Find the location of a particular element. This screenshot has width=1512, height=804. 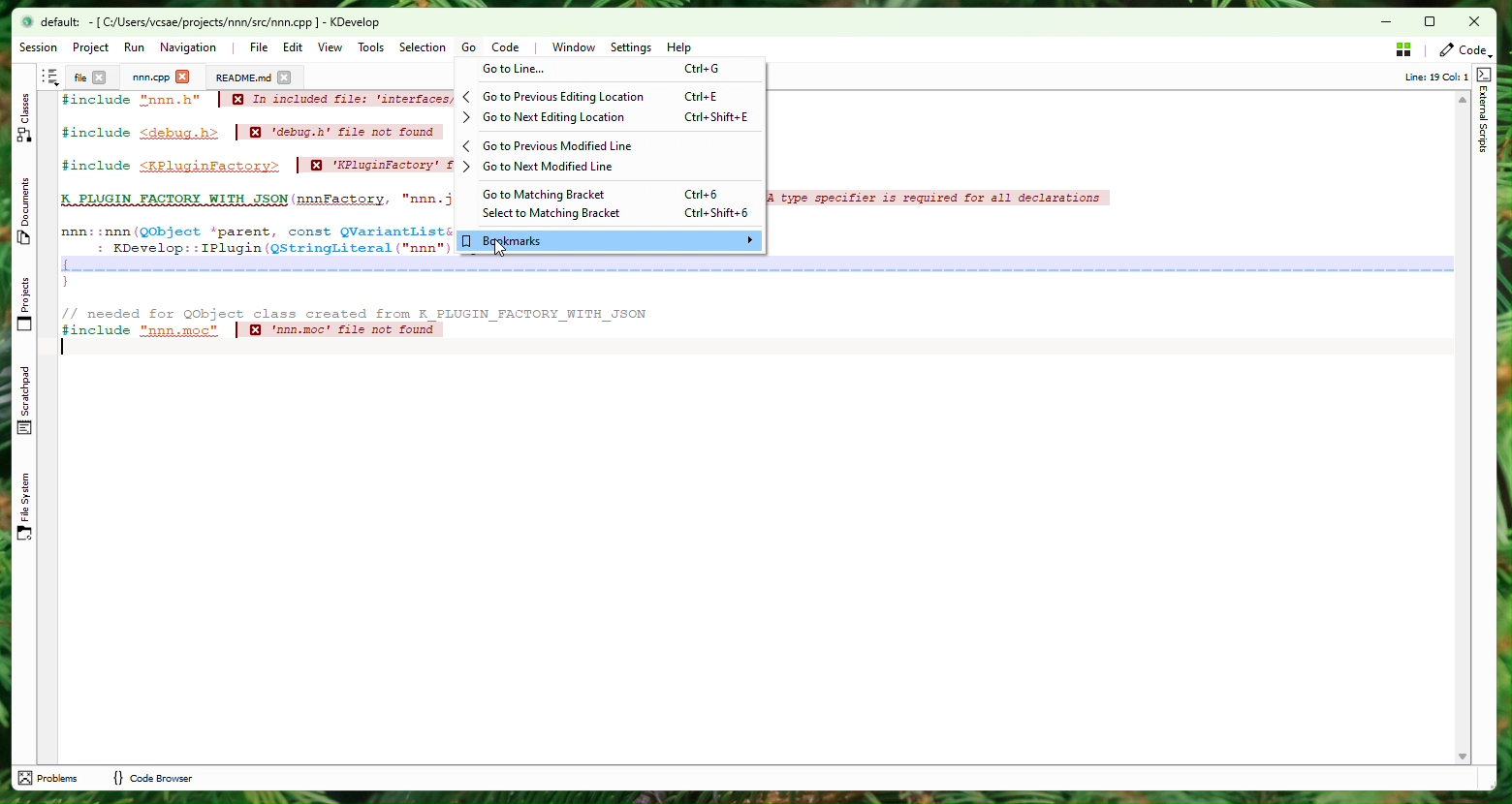

Code is located at coordinates (654, 313).